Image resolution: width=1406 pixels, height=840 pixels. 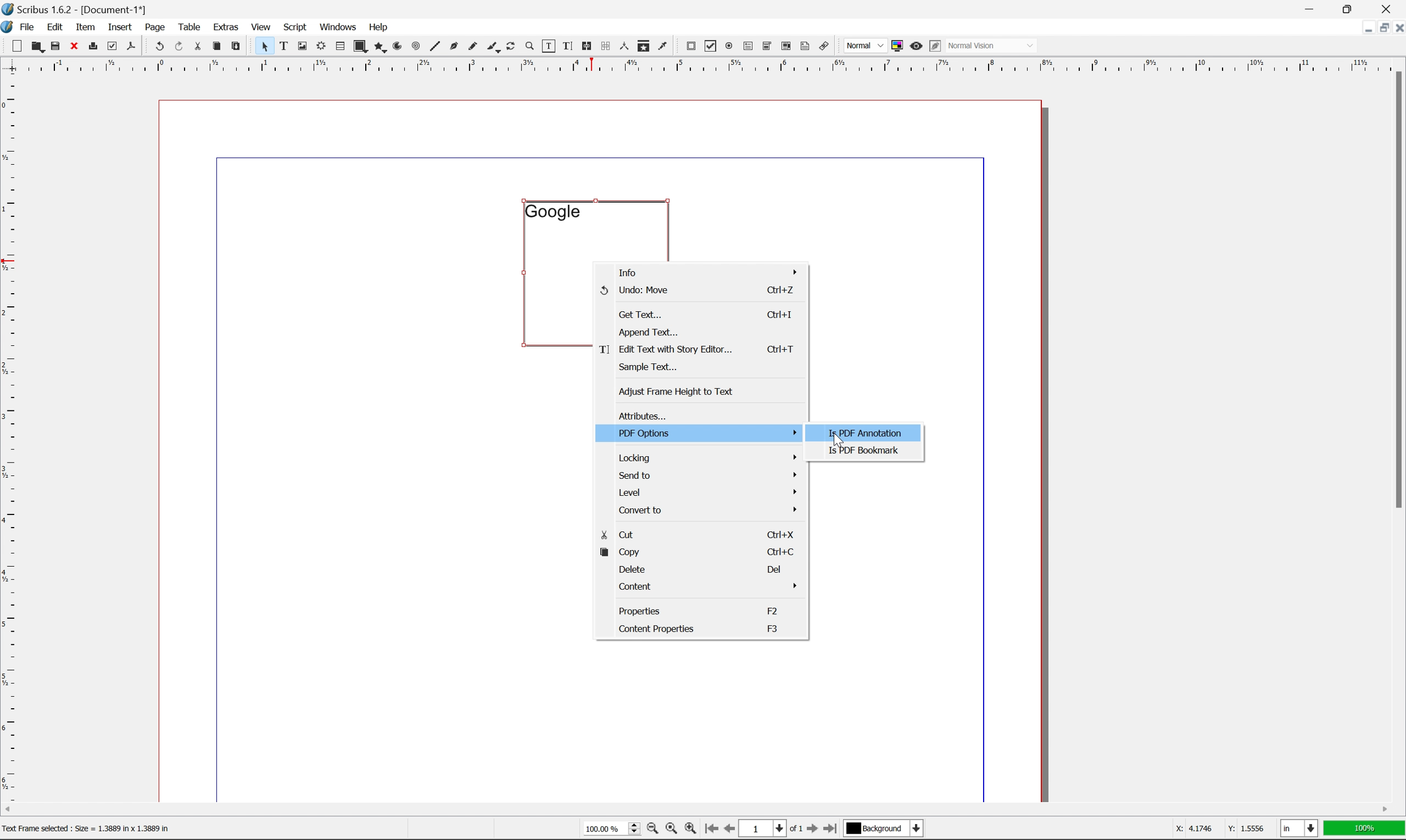 What do you see at coordinates (707, 272) in the screenshot?
I see `info` at bounding box center [707, 272].